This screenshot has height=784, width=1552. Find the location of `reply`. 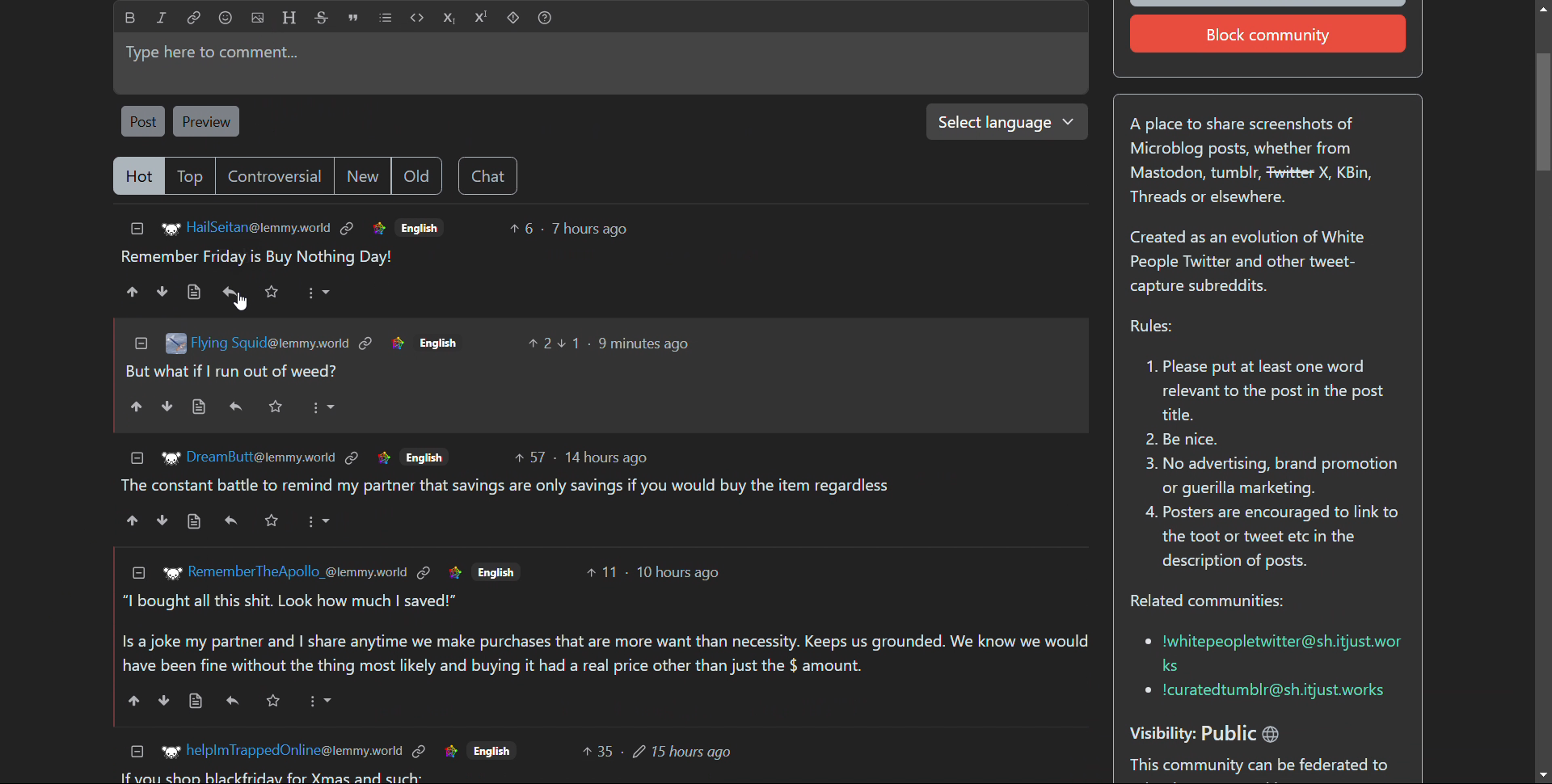

reply is located at coordinates (232, 291).